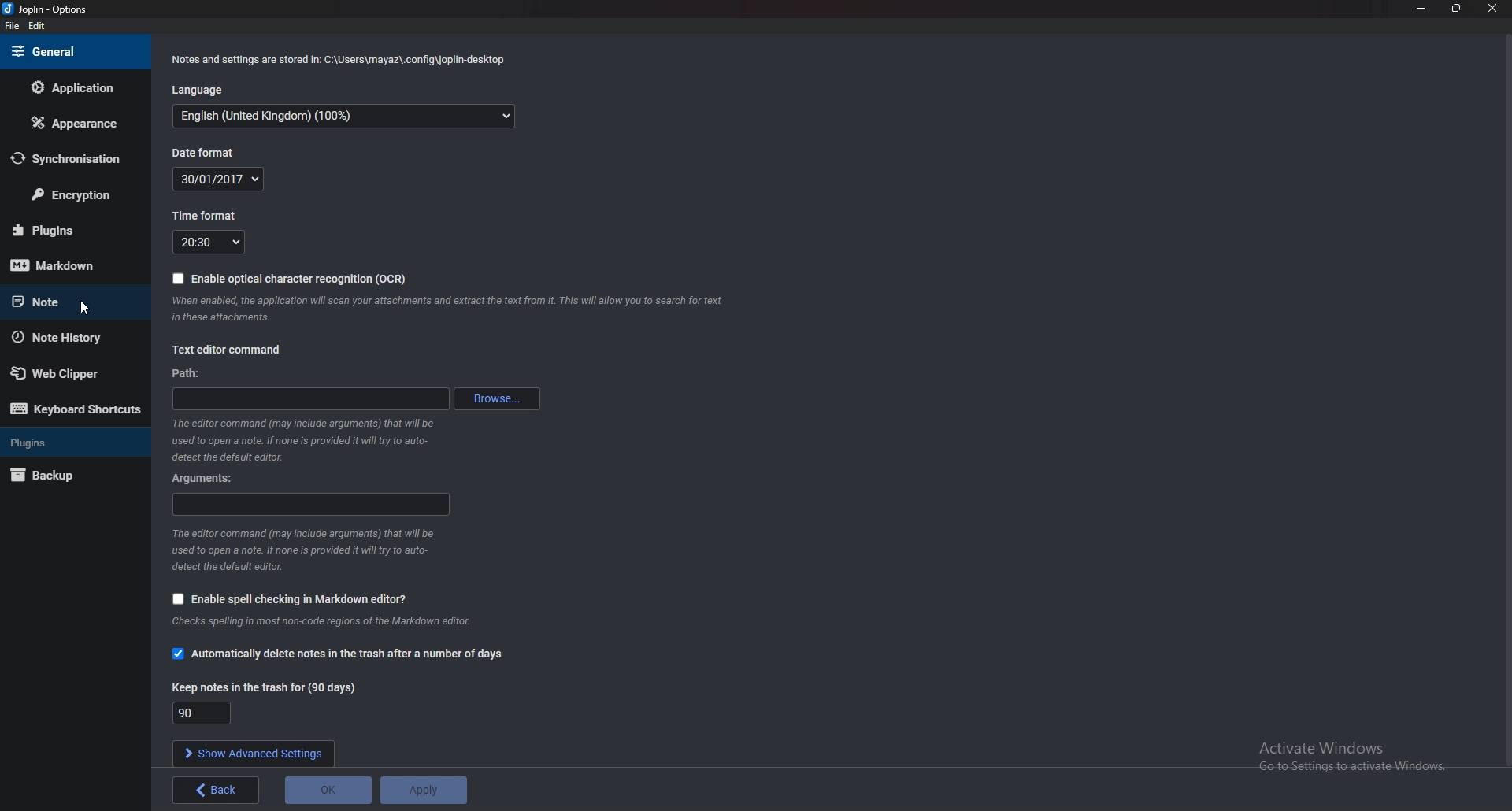  Describe the element at coordinates (206, 214) in the screenshot. I see `Time format` at that location.